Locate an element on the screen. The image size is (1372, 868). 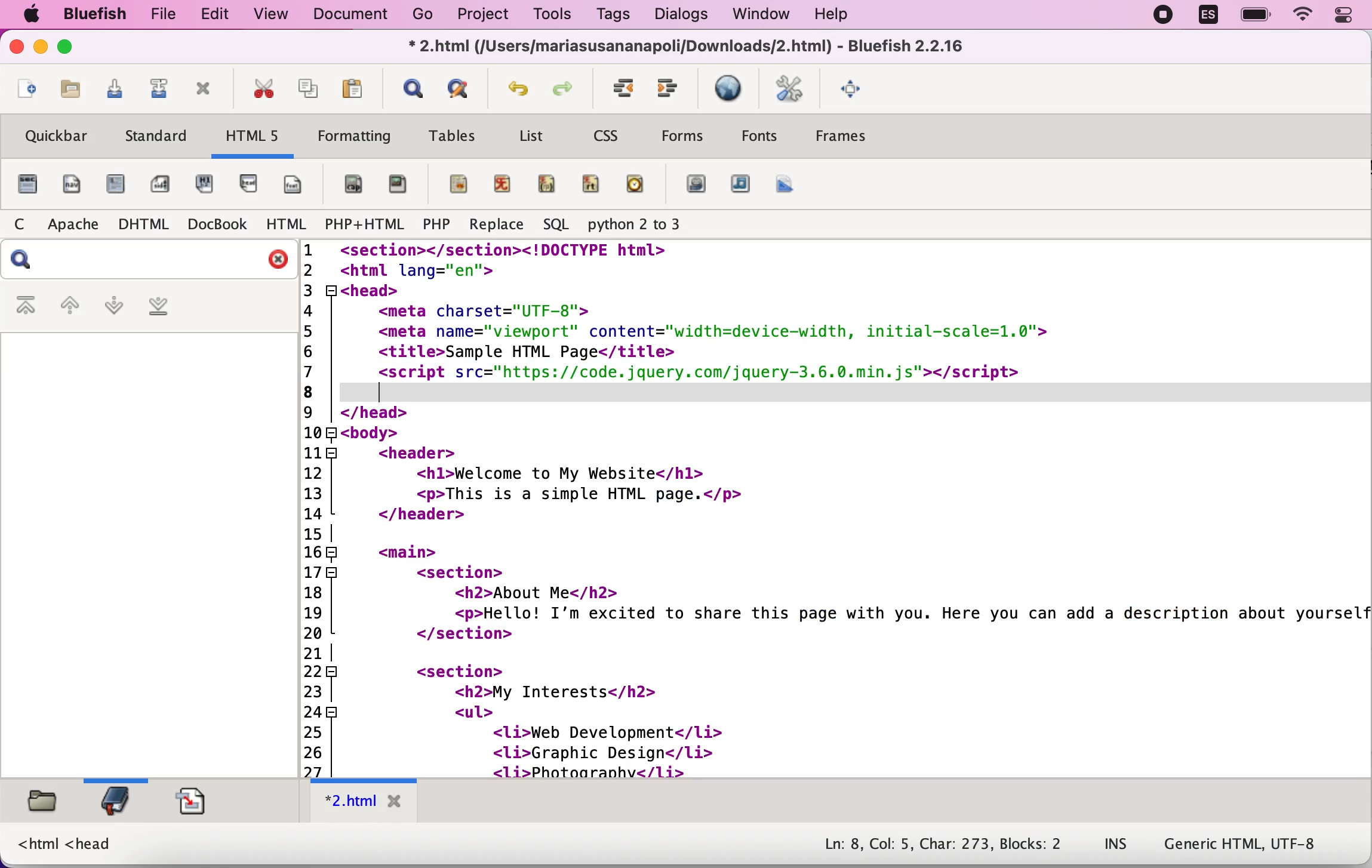
copy is located at coordinates (309, 90).